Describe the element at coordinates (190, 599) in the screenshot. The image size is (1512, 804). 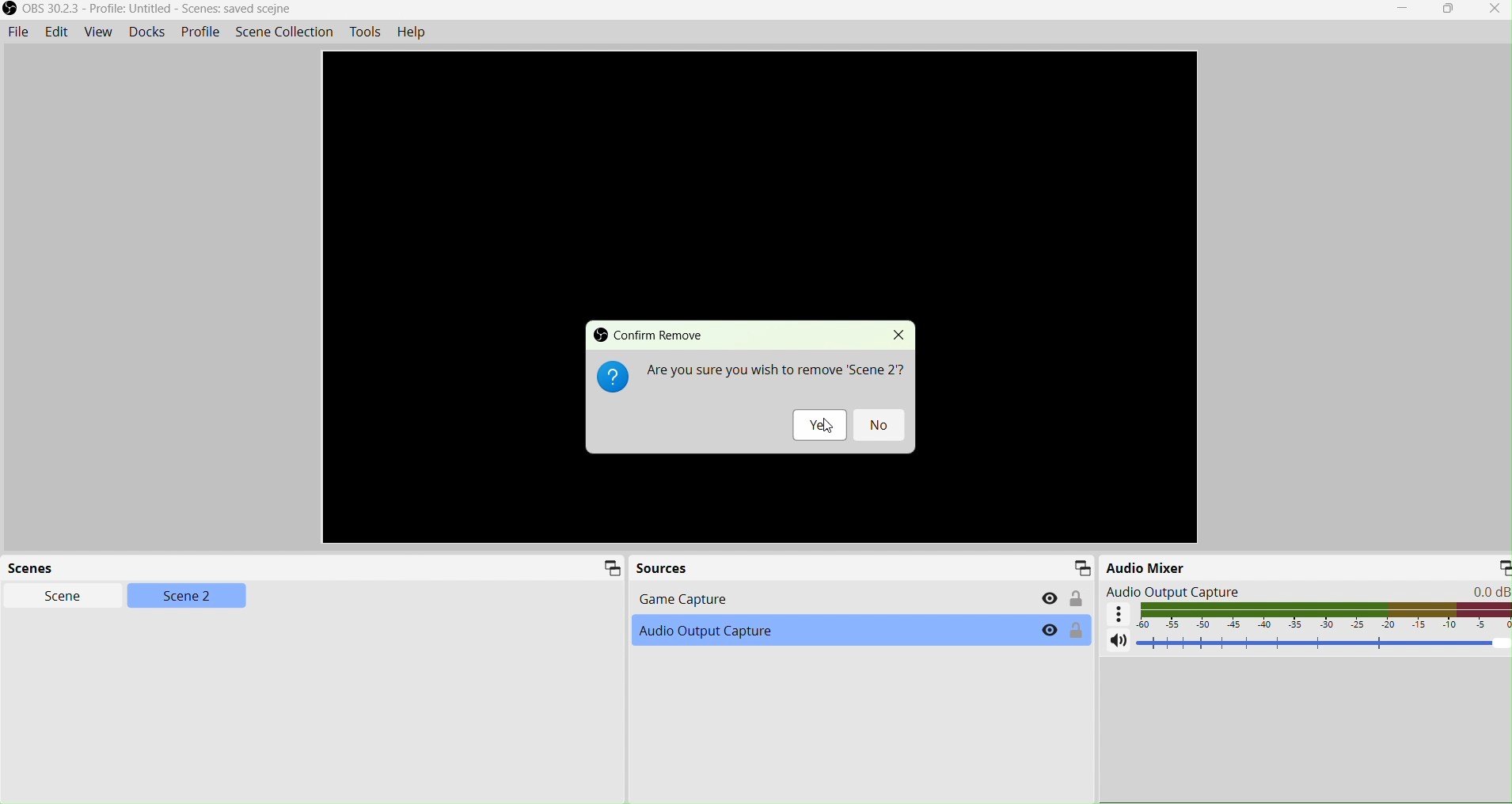
I see `Scene 2` at that location.